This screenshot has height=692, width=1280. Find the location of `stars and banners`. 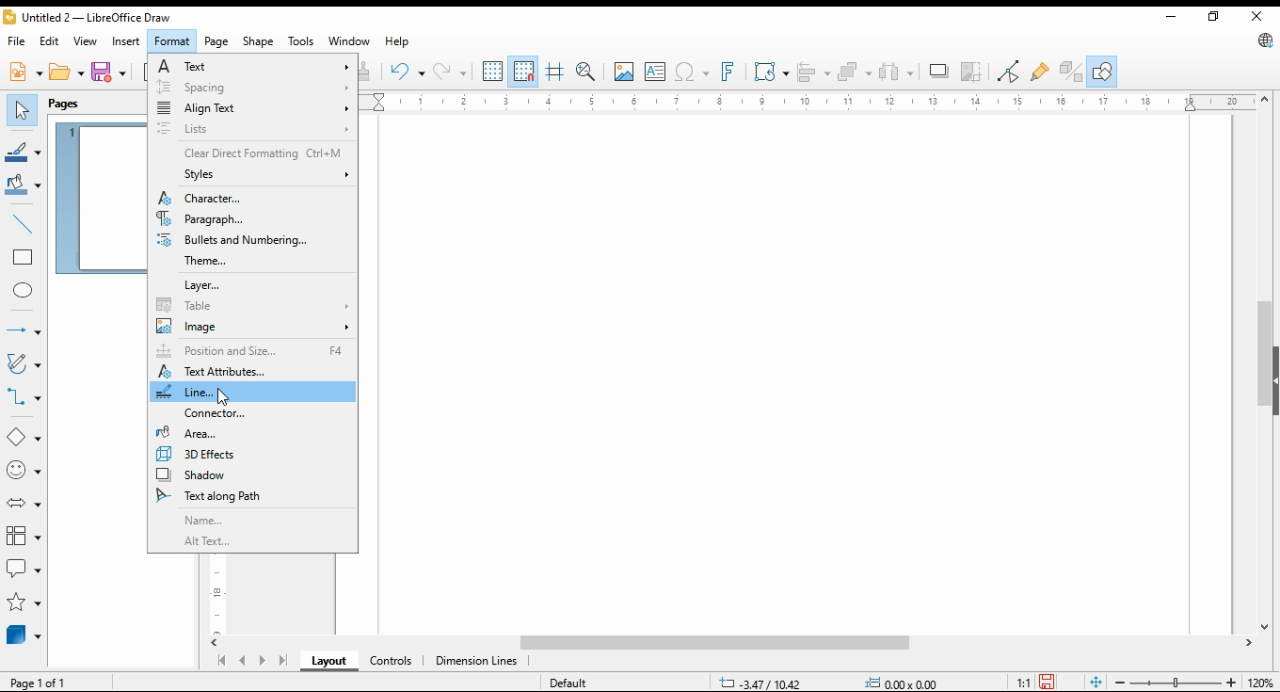

stars and banners is located at coordinates (24, 602).